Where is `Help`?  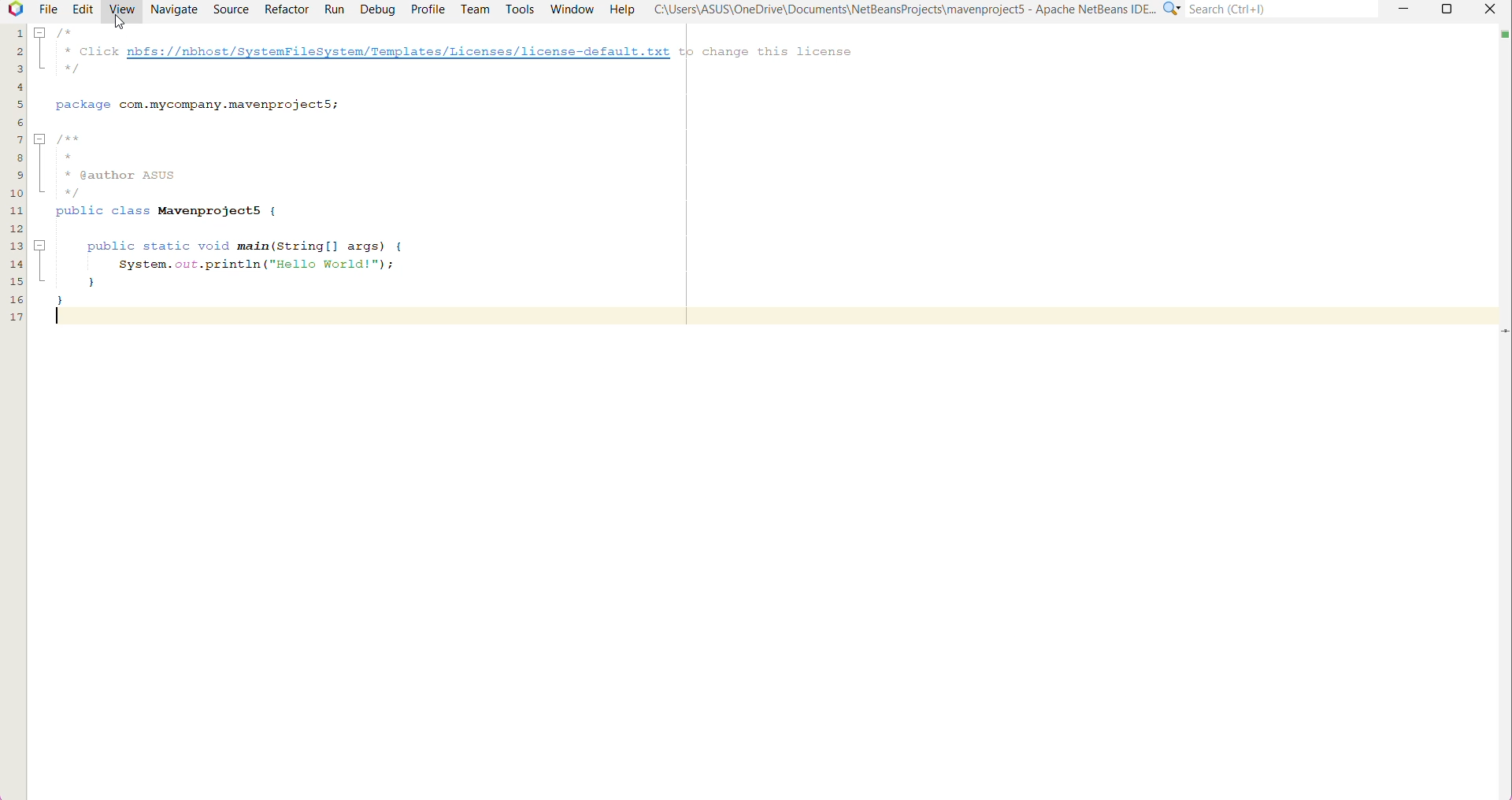 Help is located at coordinates (621, 9).